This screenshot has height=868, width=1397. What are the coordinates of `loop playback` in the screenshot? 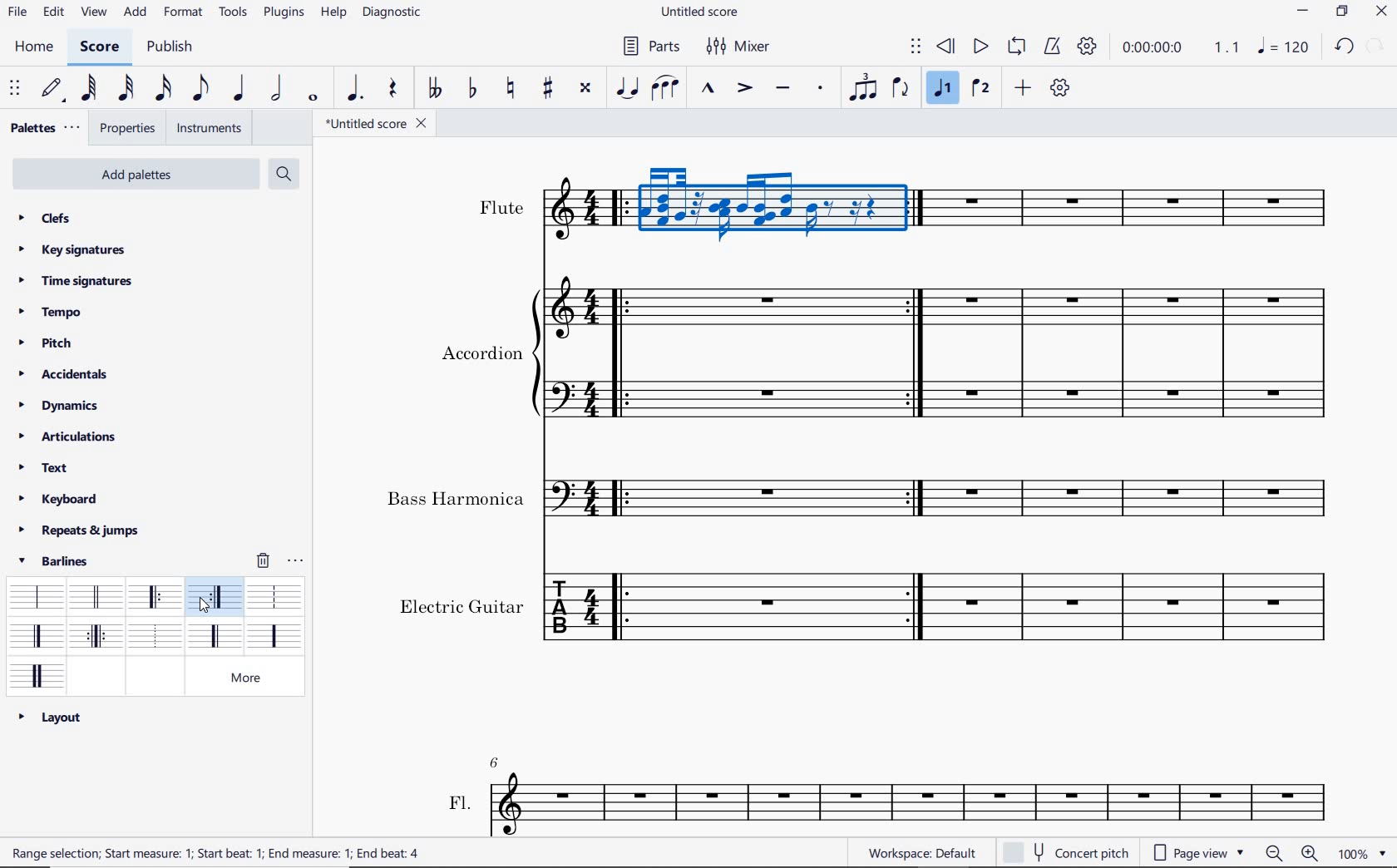 It's located at (1016, 47).